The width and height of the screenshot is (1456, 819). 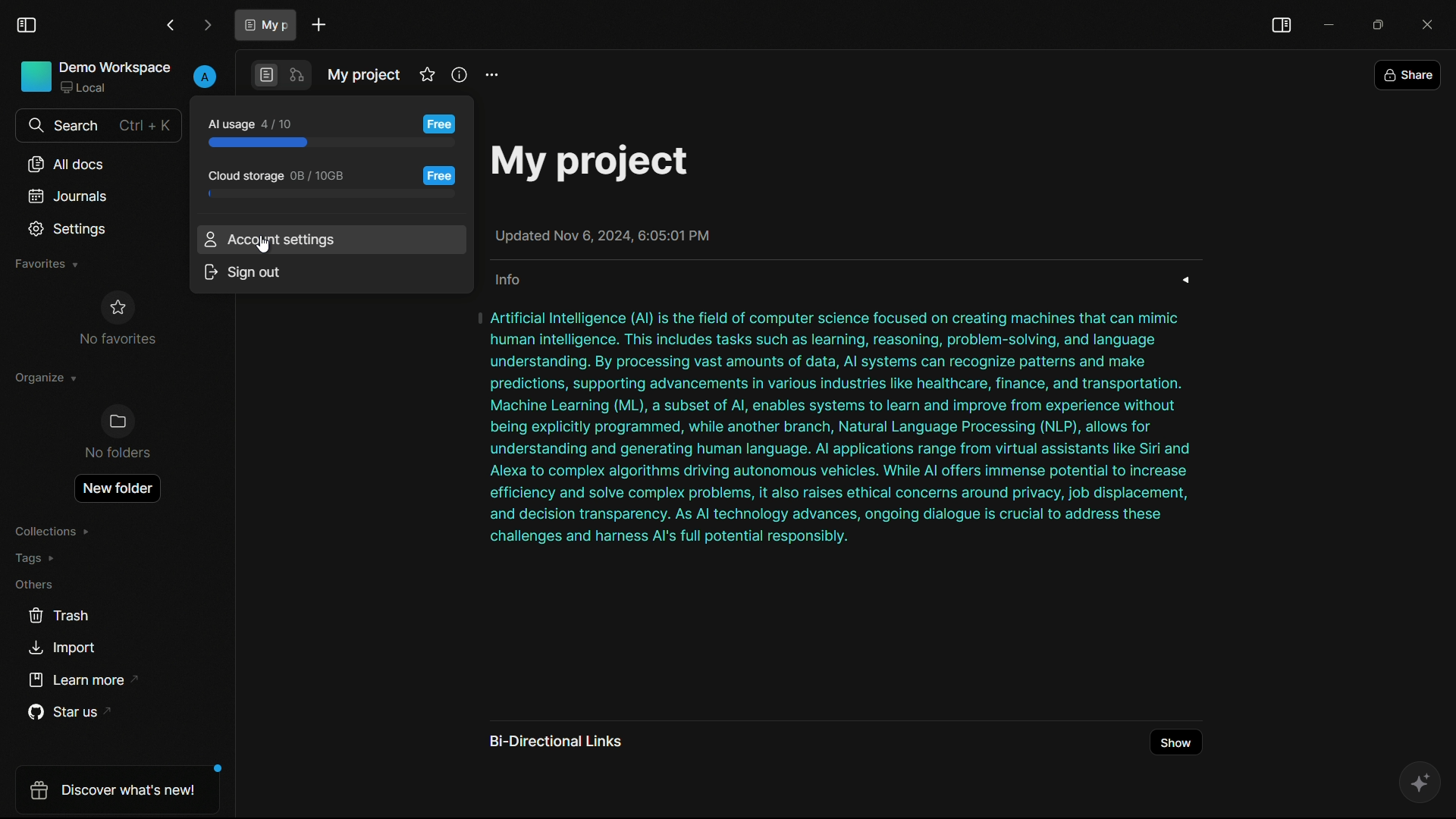 I want to click on back, so click(x=170, y=26).